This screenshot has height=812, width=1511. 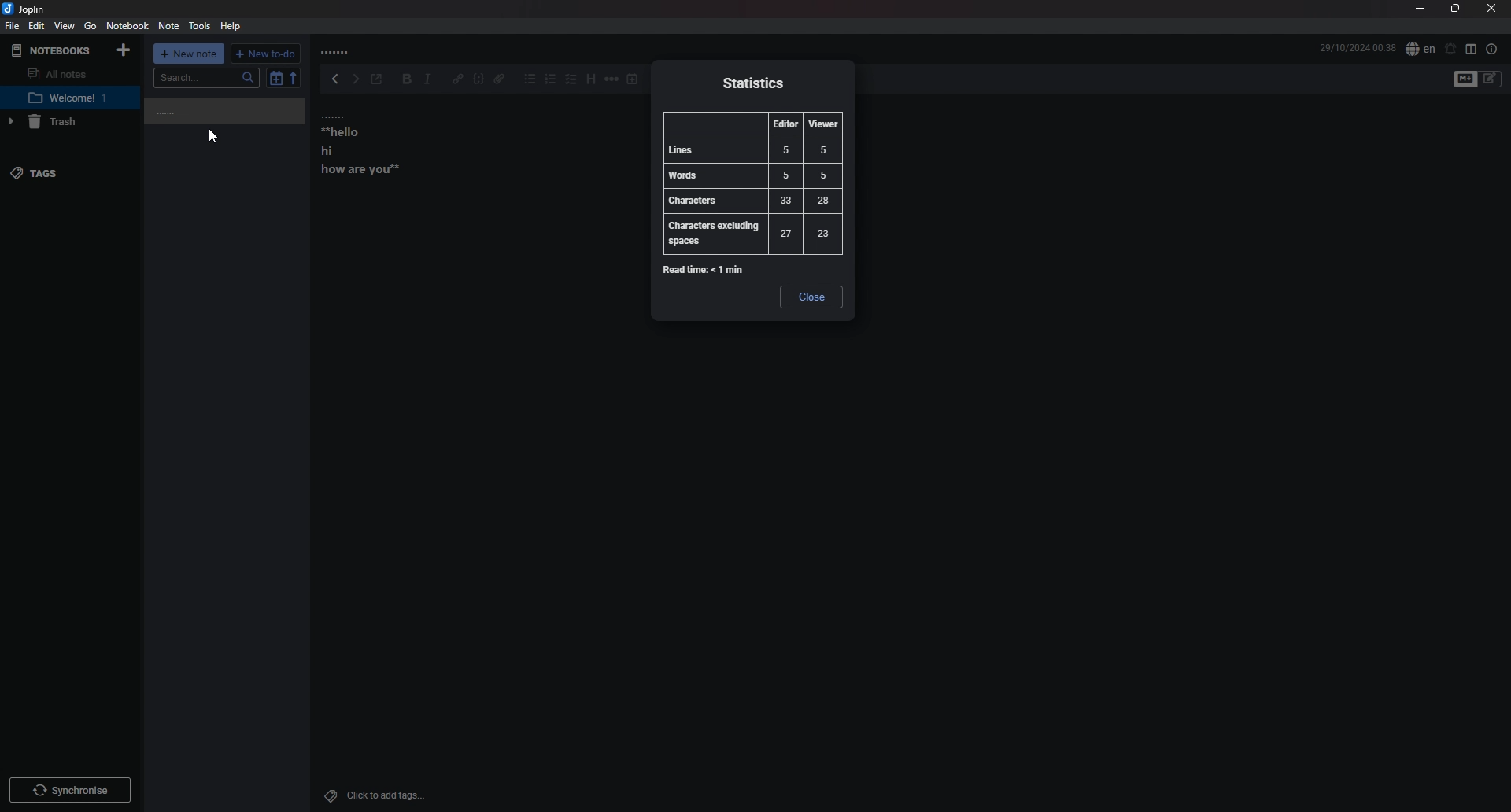 I want to click on Minimize, so click(x=1421, y=9).